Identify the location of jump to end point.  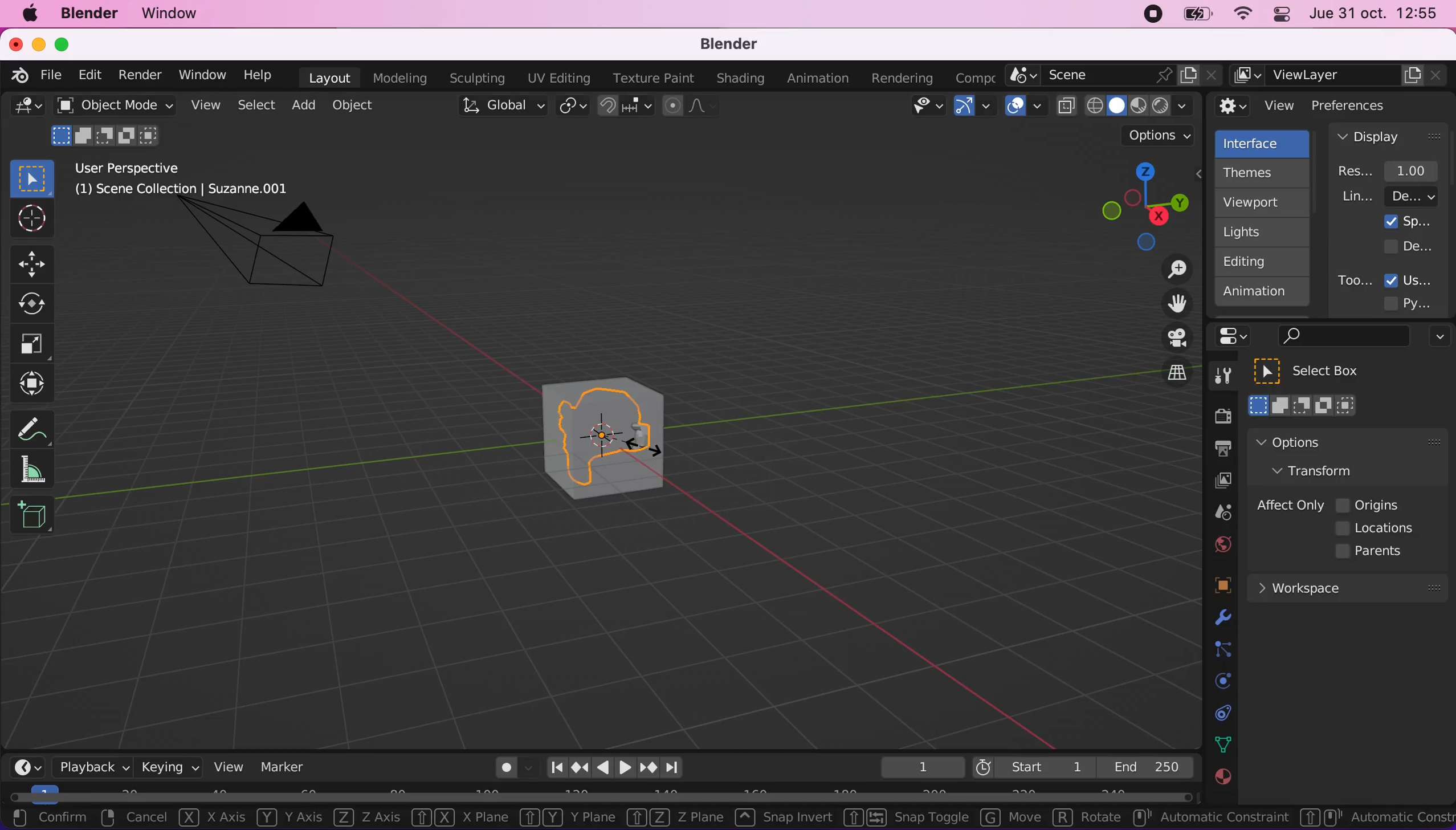
(553, 768).